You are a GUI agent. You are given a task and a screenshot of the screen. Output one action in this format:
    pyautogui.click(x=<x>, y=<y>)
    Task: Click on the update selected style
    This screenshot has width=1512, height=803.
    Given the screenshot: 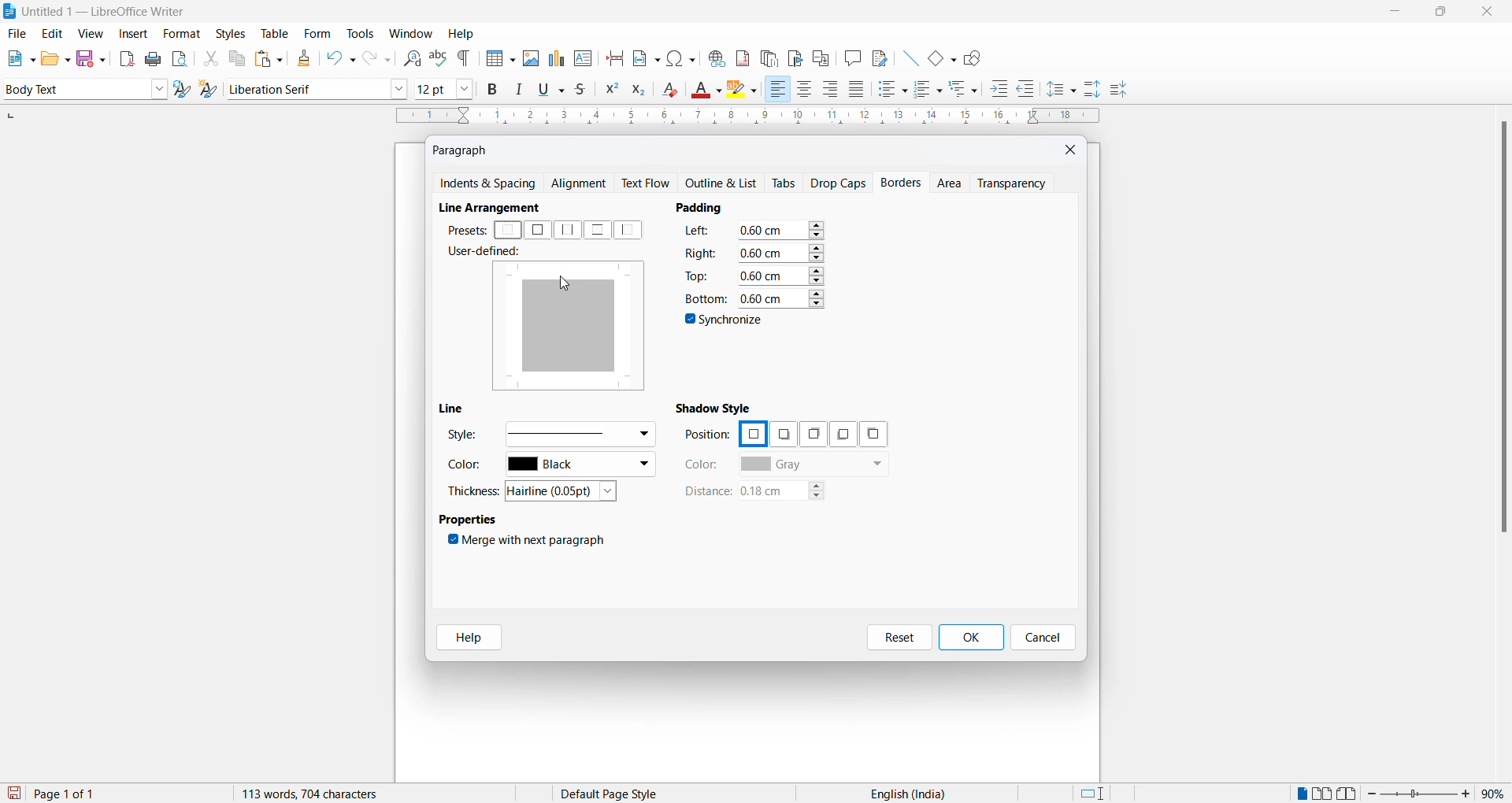 What is the action you would take?
    pyautogui.click(x=185, y=90)
    